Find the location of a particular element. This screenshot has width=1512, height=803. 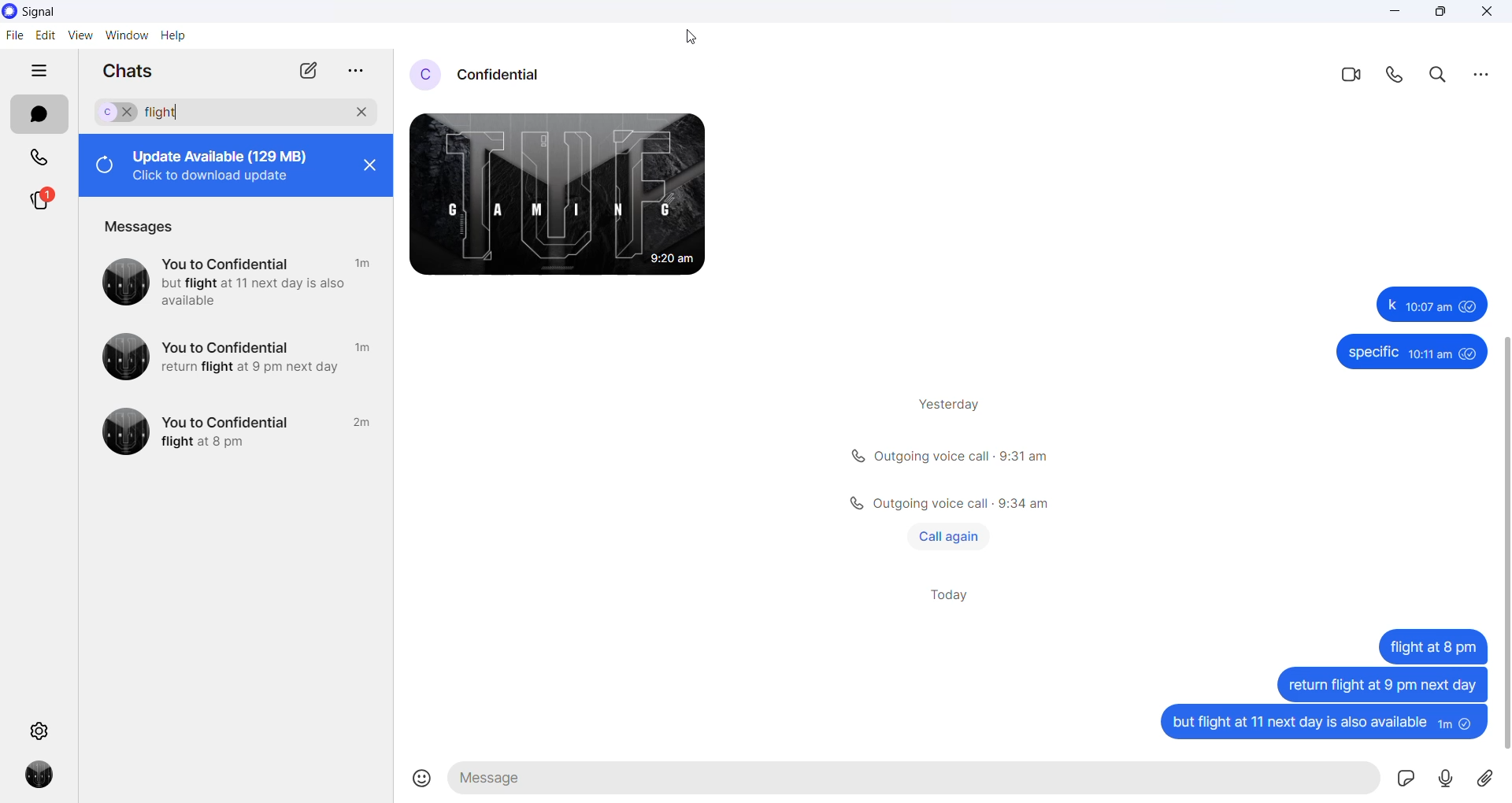

sent messages is located at coordinates (1321, 726).